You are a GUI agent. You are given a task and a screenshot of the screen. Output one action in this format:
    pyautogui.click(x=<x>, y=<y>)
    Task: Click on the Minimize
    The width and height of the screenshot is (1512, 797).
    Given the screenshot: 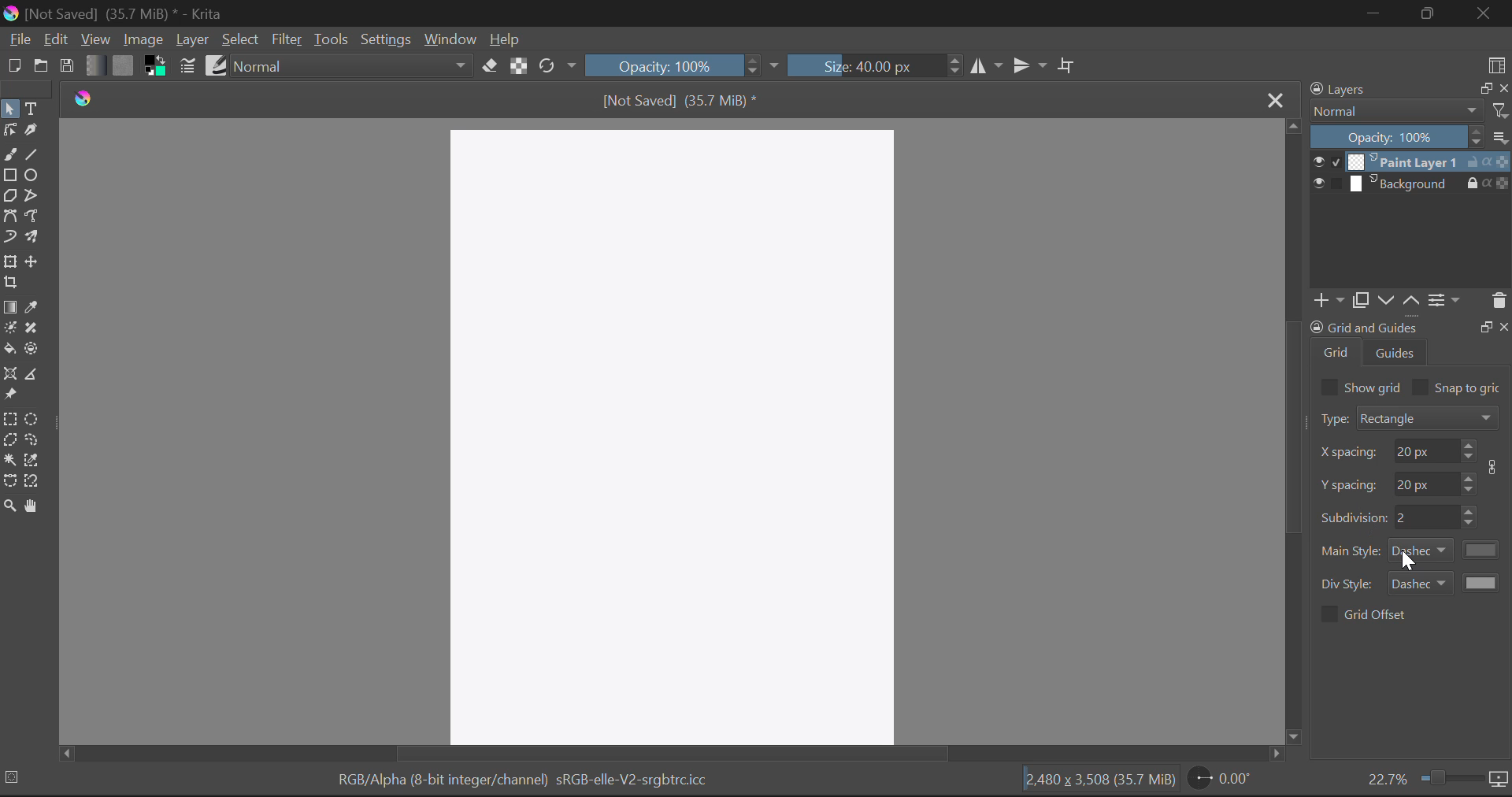 What is the action you would take?
    pyautogui.click(x=1433, y=13)
    